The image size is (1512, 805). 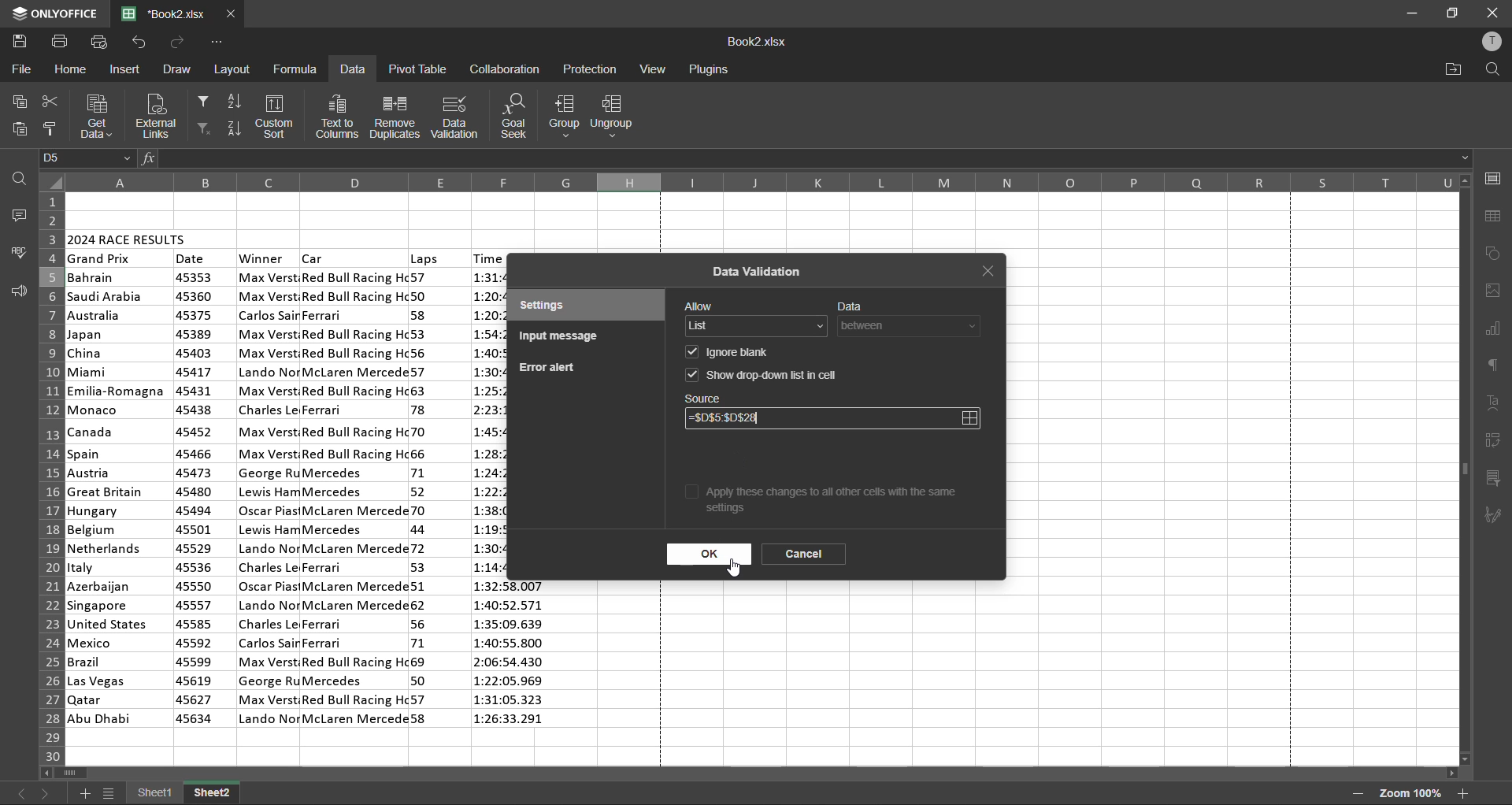 What do you see at coordinates (129, 237) in the screenshot?
I see `2024 race results` at bounding box center [129, 237].